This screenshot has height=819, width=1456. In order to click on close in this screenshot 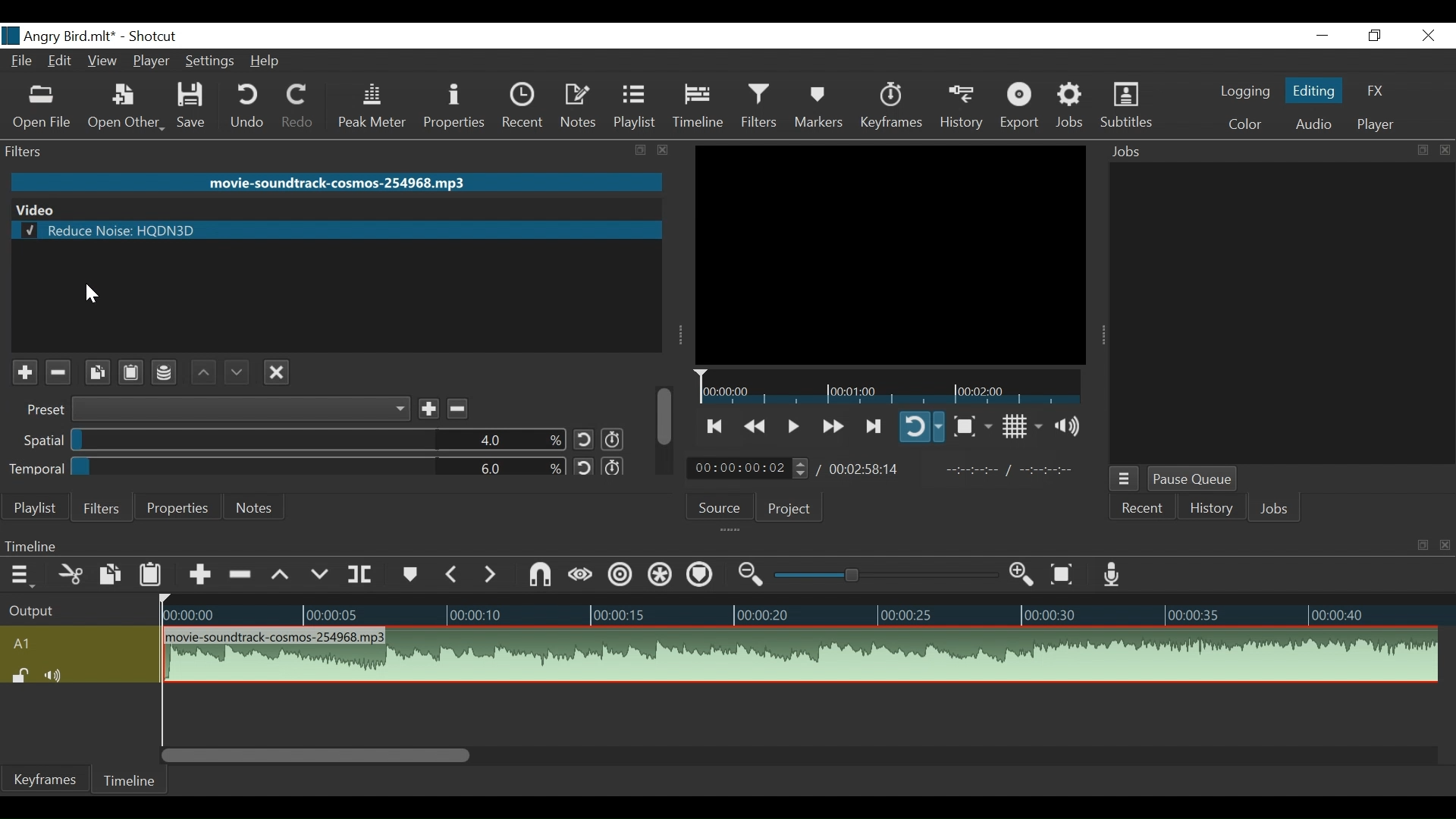, I will do `click(660, 149)`.